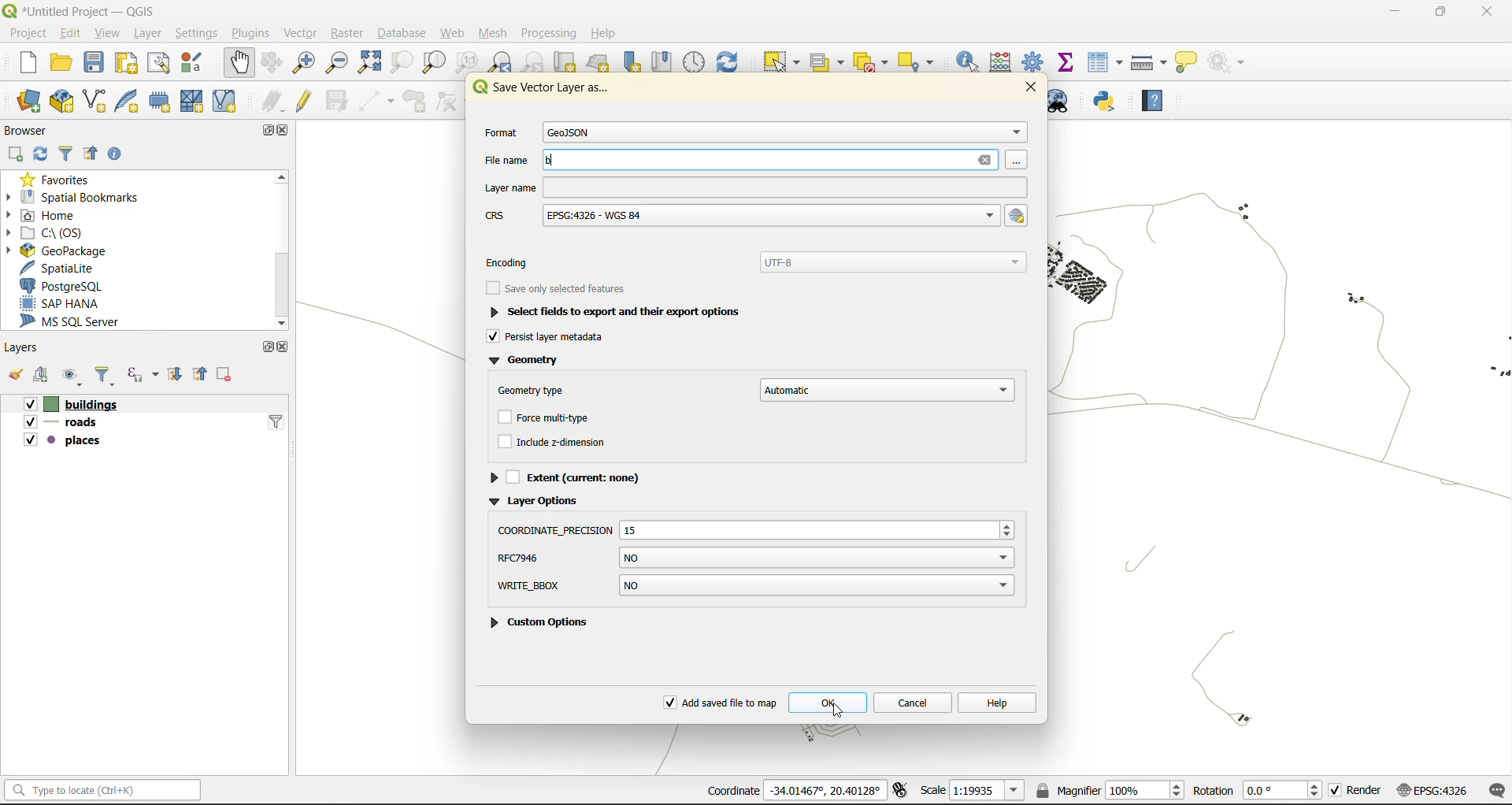 This screenshot has width=1512, height=805. What do you see at coordinates (81, 198) in the screenshot?
I see `spatial bookmarks` at bounding box center [81, 198].